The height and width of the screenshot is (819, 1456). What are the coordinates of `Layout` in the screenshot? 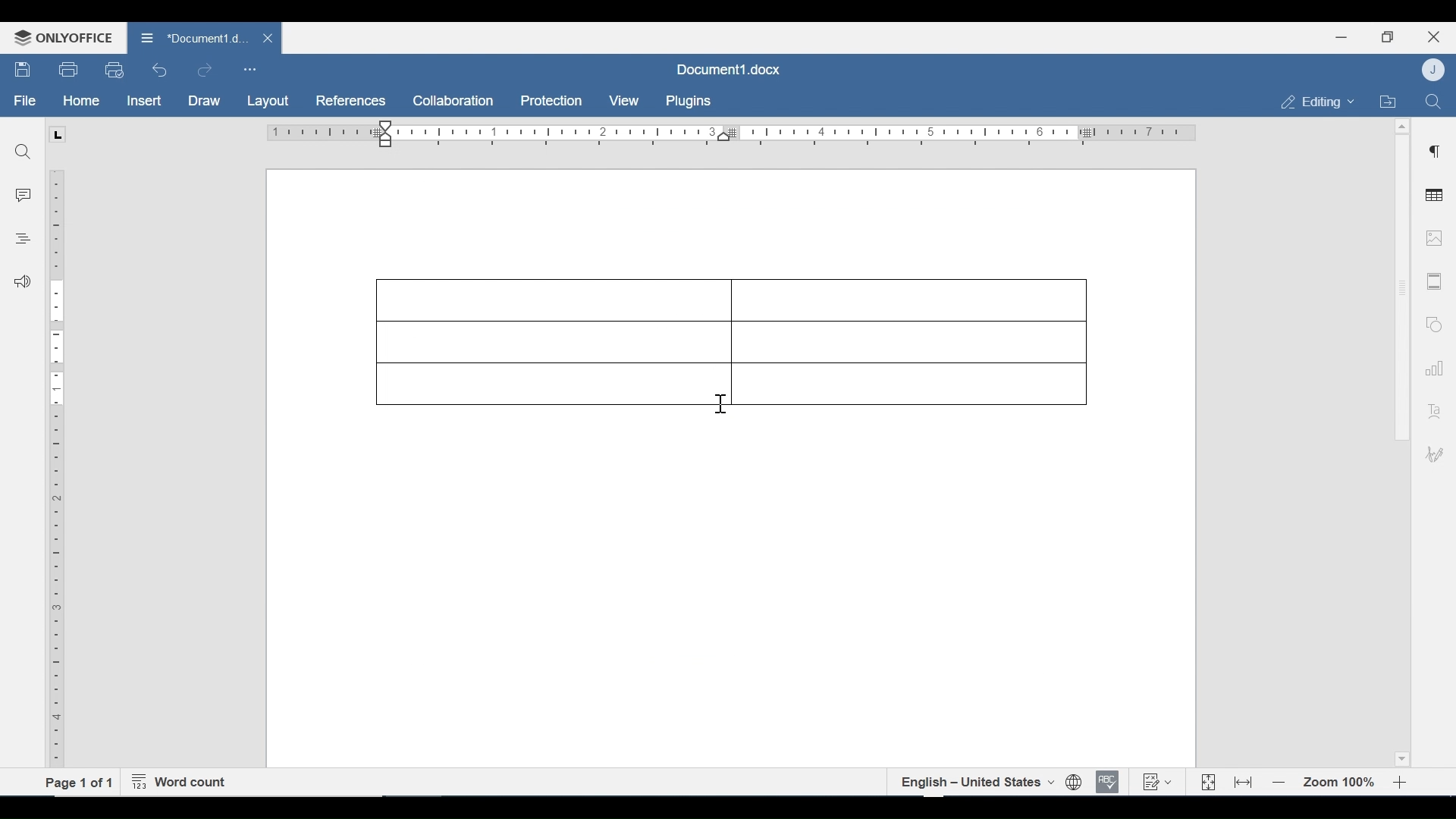 It's located at (268, 102).